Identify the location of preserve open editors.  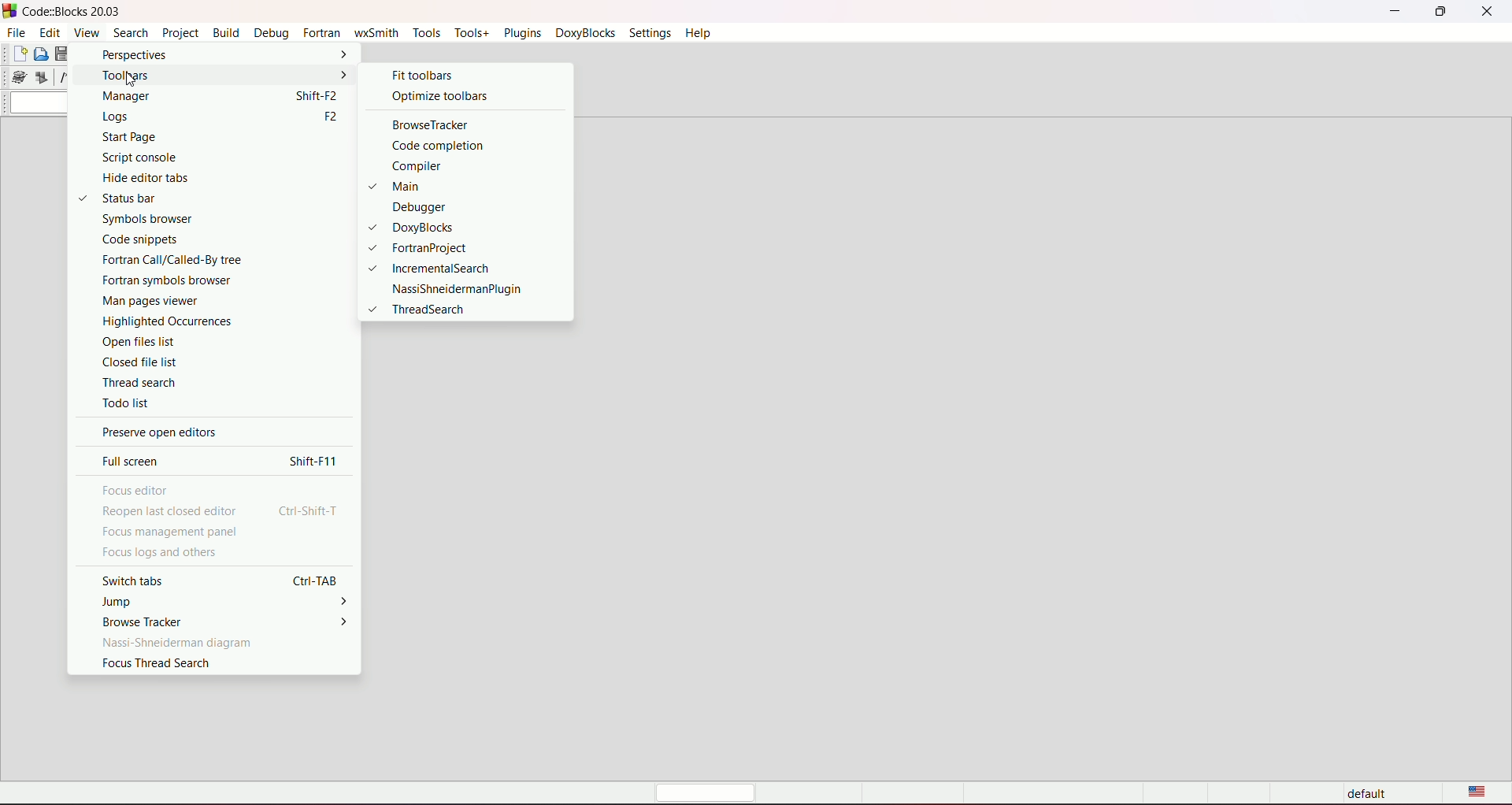
(158, 433).